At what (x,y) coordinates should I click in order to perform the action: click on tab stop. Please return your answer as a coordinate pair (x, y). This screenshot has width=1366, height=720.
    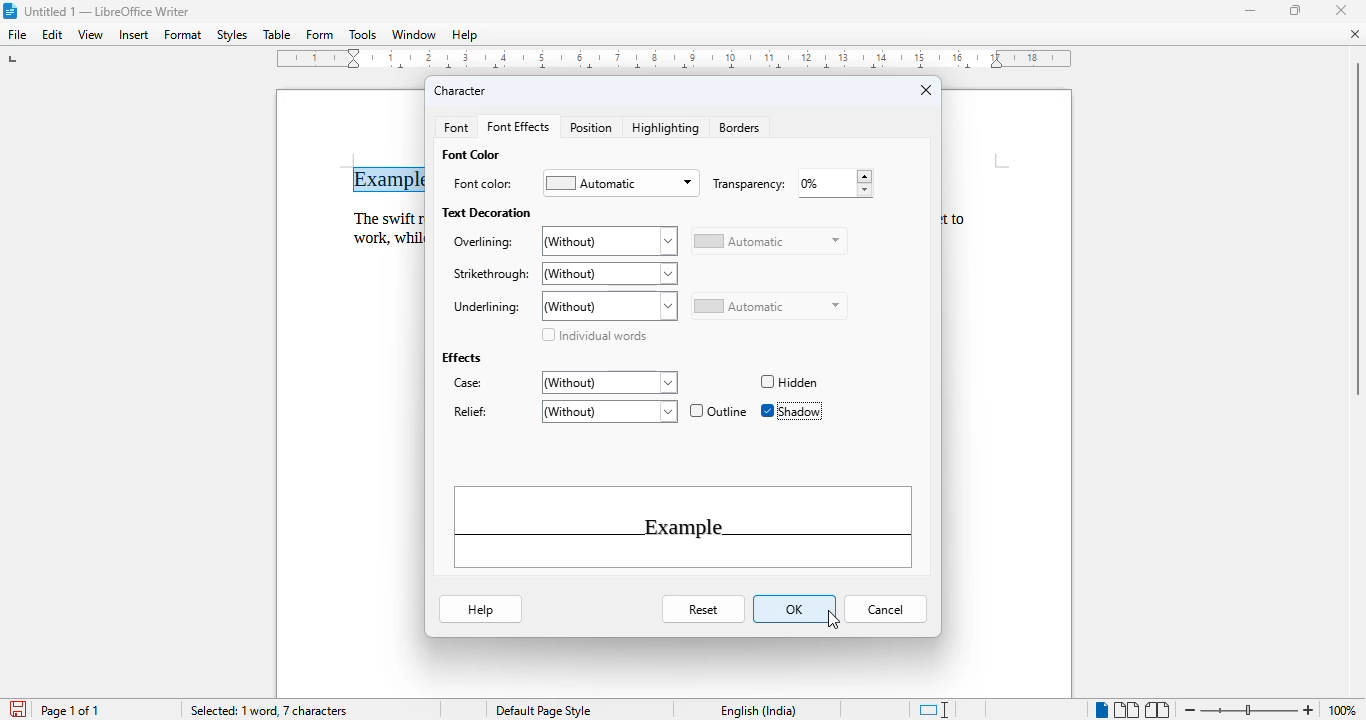
    Looking at the image, I should click on (13, 61).